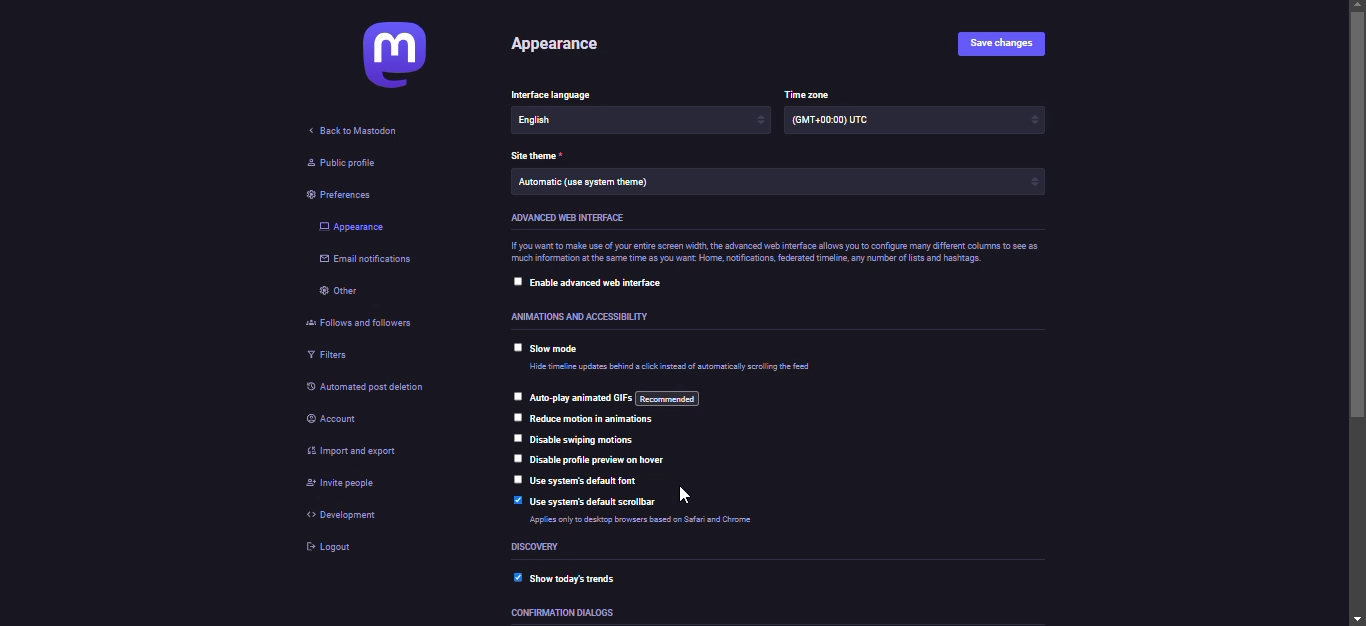 The height and width of the screenshot is (626, 1366). Describe the element at coordinates (515, 438) in the screenshot. I see `click to select` at that location.